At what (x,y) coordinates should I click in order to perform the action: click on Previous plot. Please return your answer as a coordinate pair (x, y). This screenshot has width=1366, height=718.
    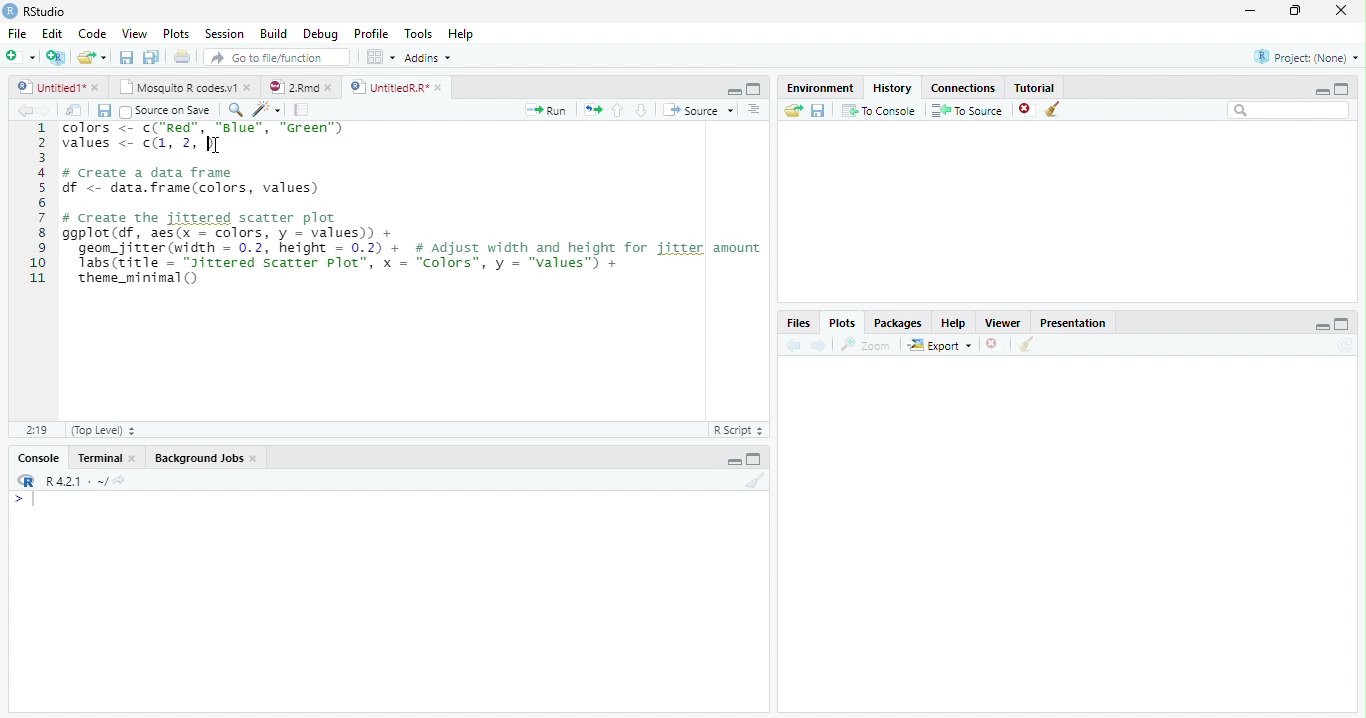
    Looking at the image, I should click on (794, 345).